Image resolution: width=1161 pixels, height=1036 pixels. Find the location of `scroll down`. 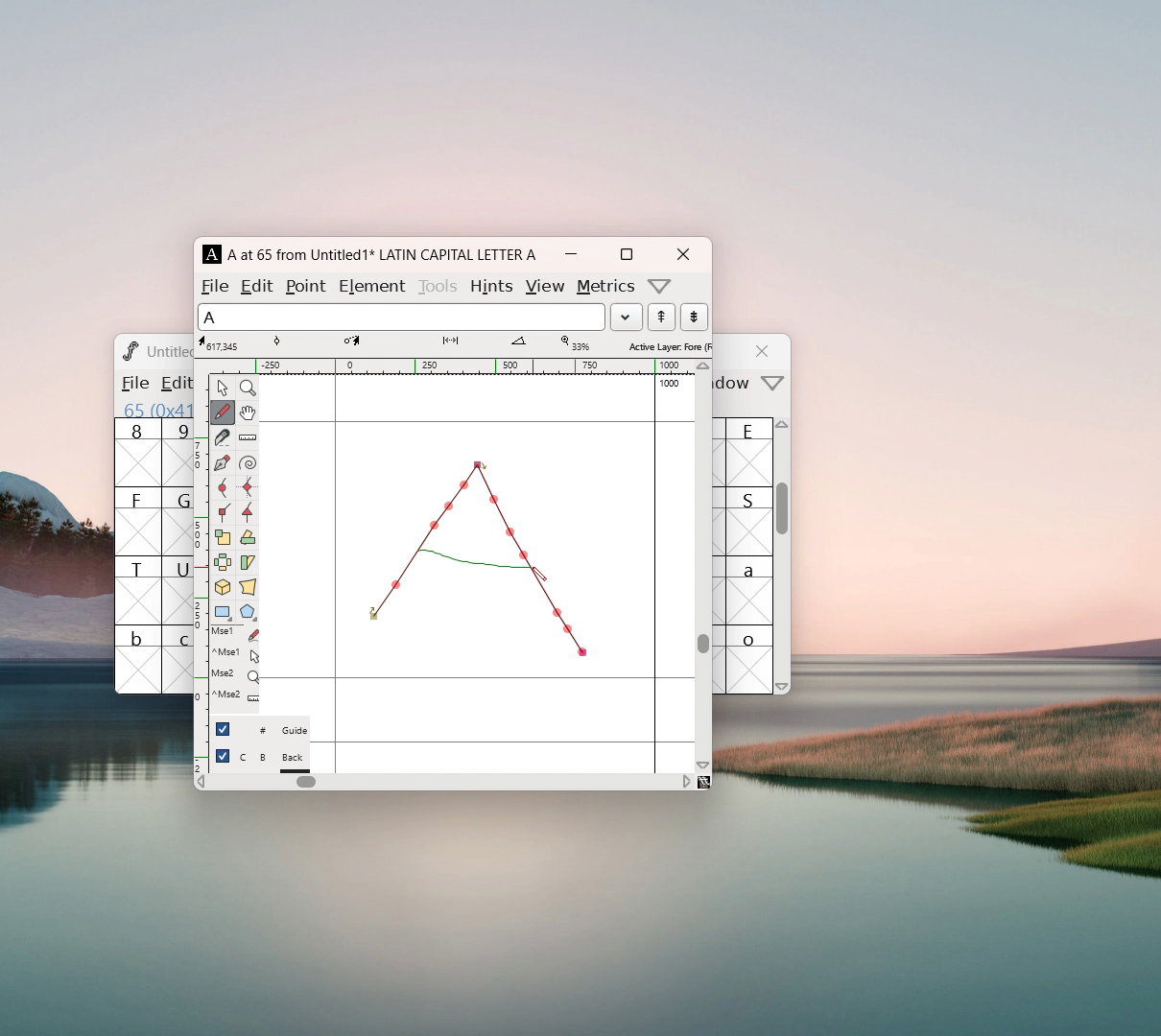

scroll down is located at coordinates (703, 765).